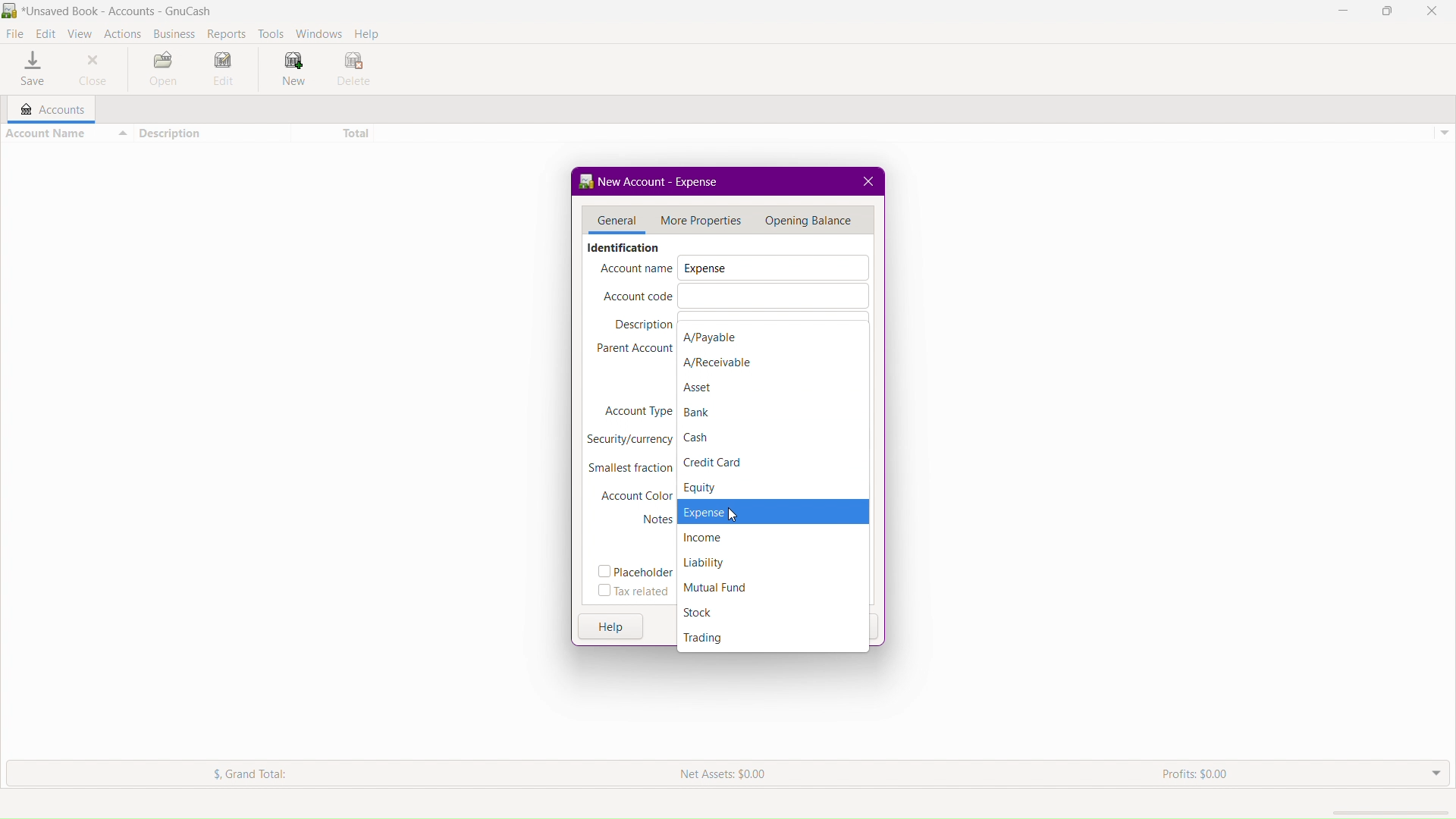 The width and height of the screenshot is (1456, 819). What do you see at coordinates (630, 469) in the screenshot?
I see `Smallest fraction` at bounding box center [630, 469].